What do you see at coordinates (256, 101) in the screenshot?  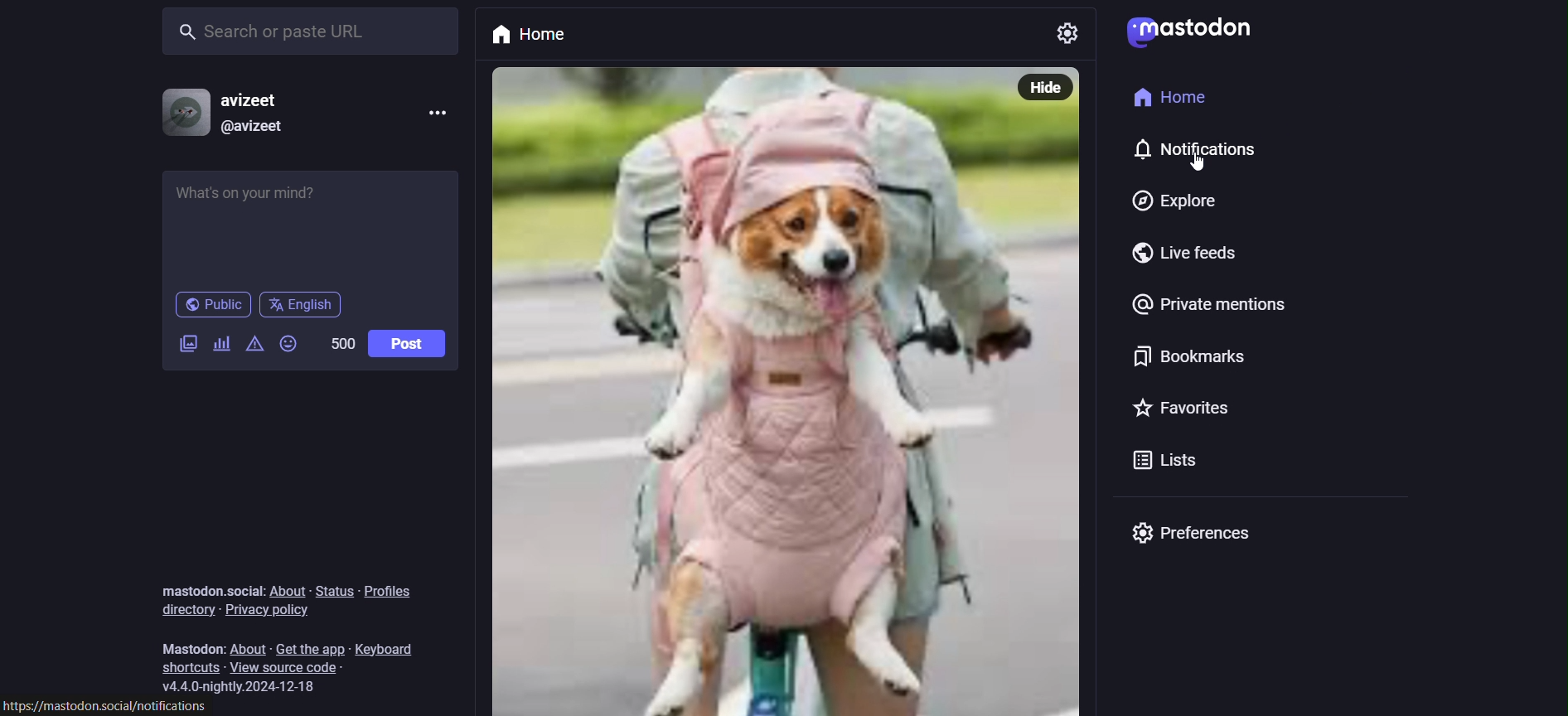 I see `avizeet` at bounding box center [256, 101].